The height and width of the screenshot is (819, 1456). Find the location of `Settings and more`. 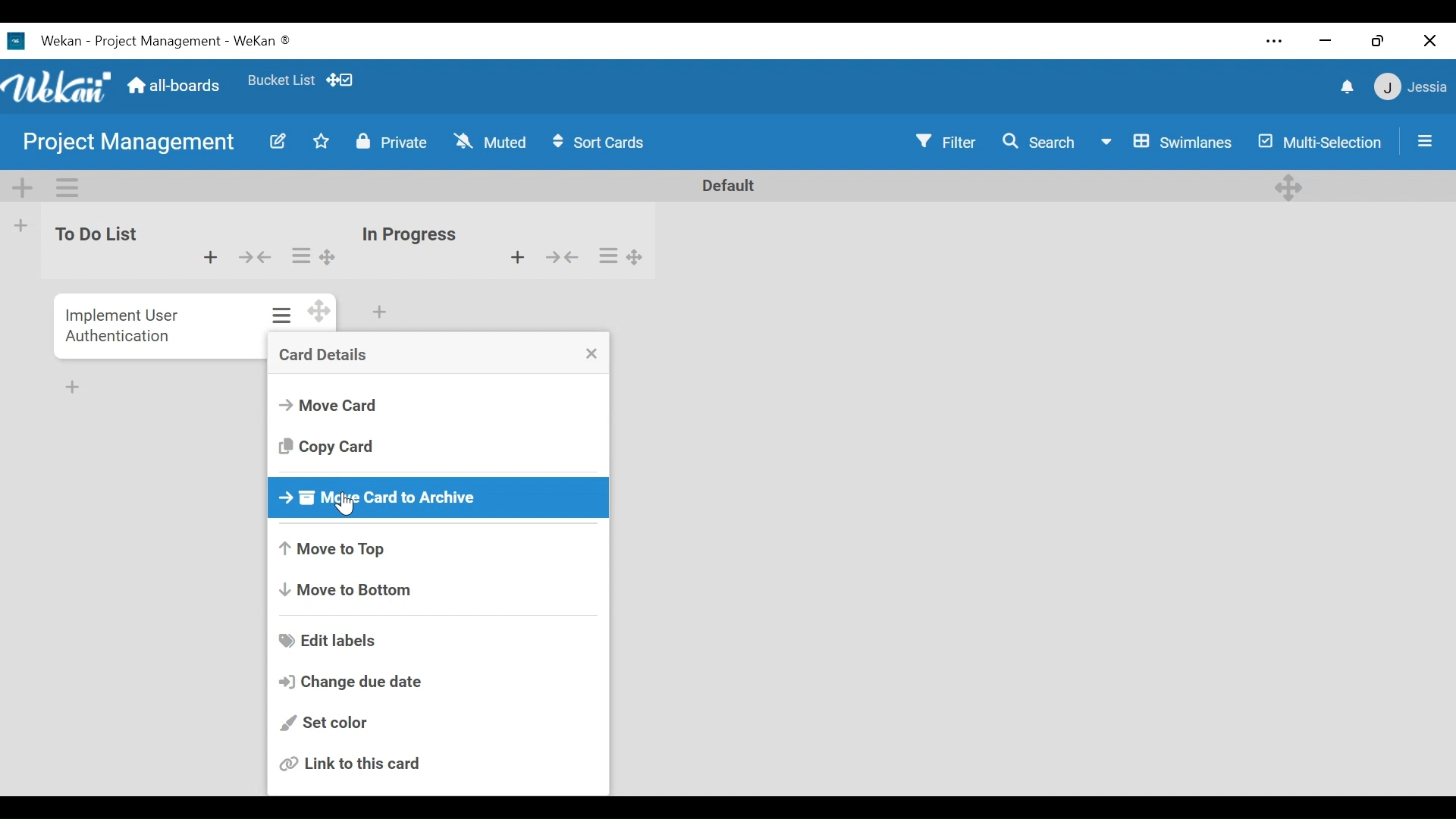

Settings and more is located at coordinates (1276, 40).